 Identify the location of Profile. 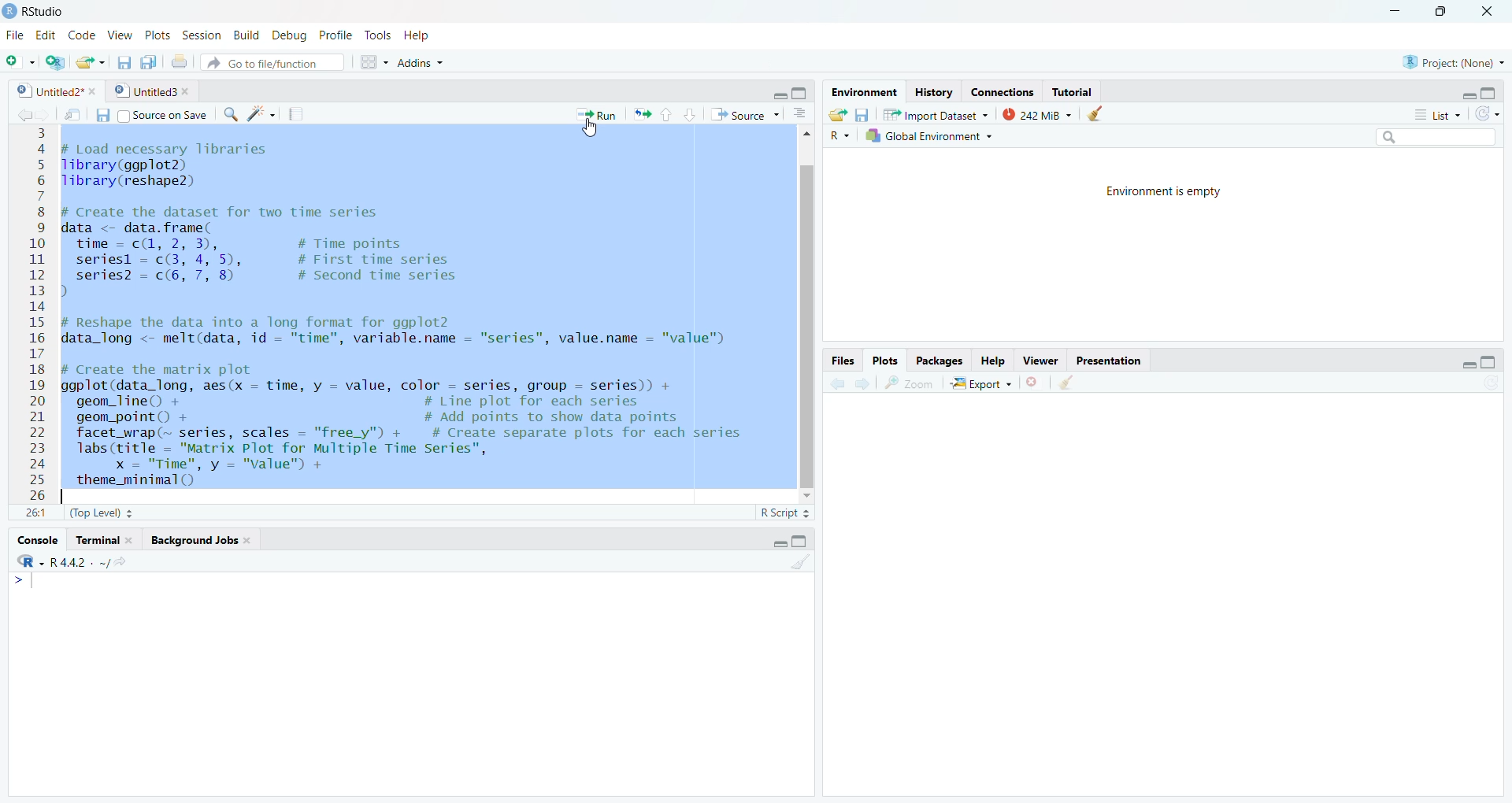
(339, 35).